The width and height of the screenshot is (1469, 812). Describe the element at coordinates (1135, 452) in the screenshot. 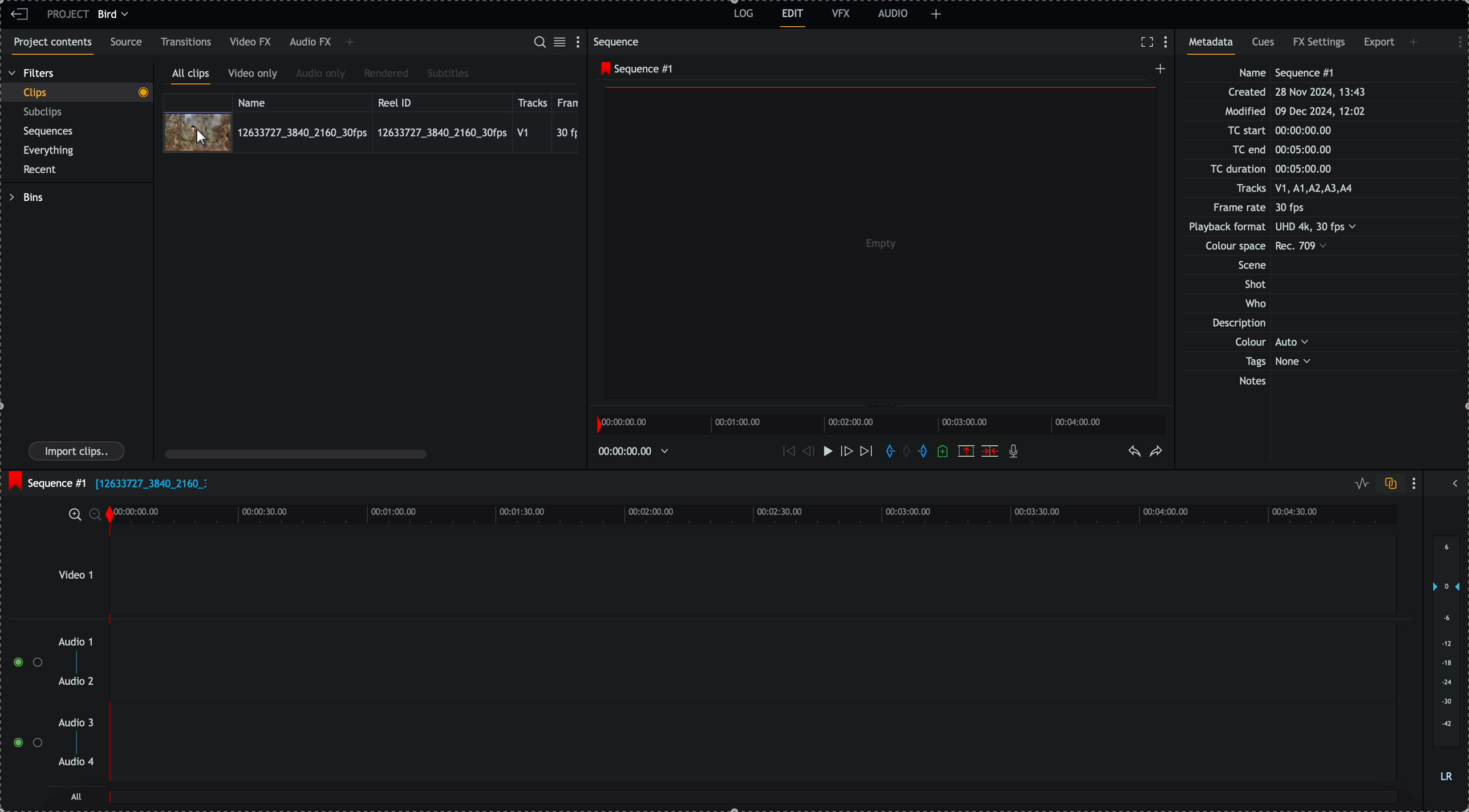

I see `undo` at that location.